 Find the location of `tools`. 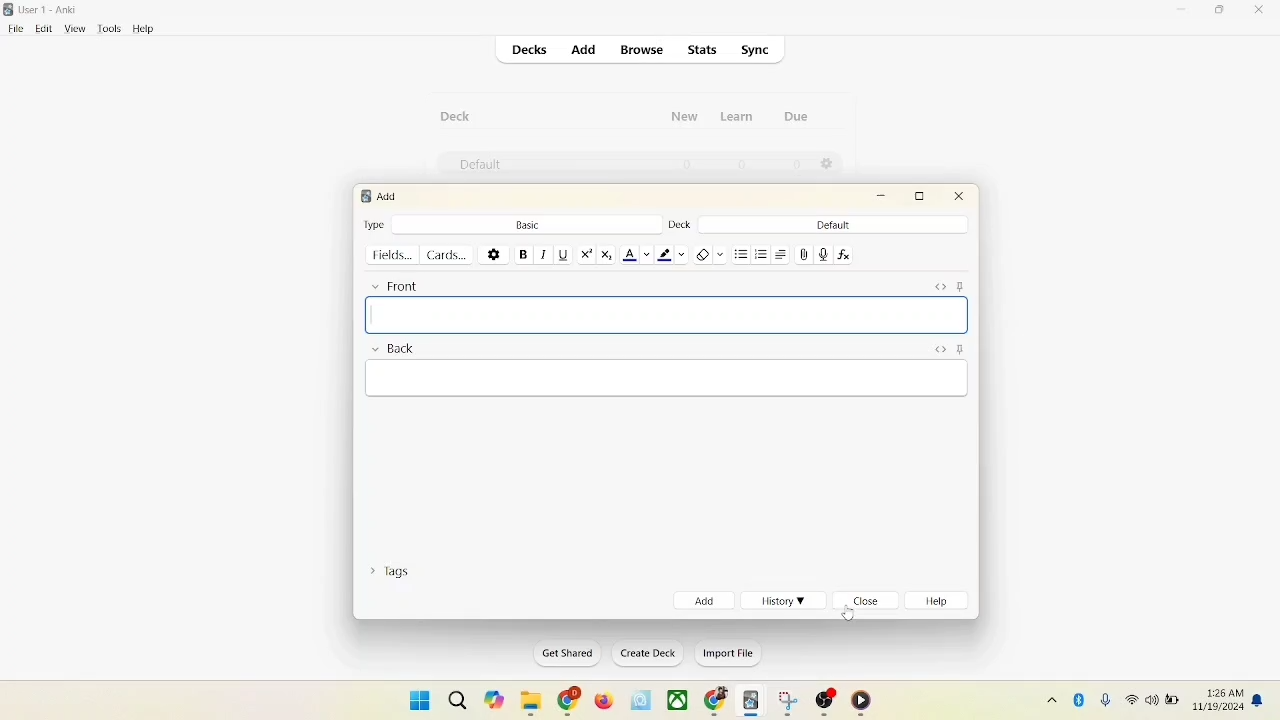

tools is located at coordinates (109, 29).